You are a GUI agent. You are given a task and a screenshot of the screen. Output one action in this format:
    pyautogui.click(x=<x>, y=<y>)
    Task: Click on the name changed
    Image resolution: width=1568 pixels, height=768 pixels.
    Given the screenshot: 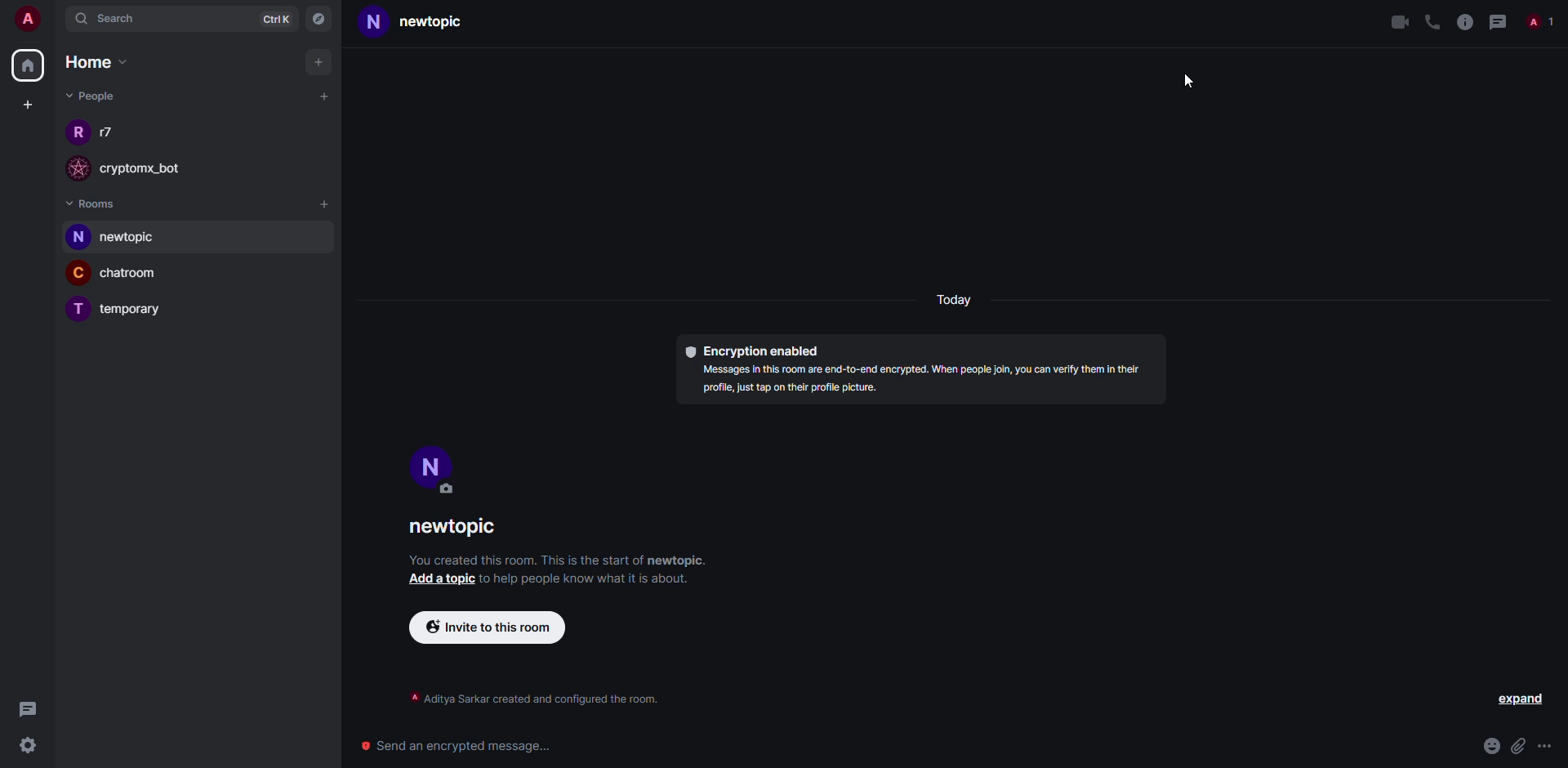 What is the action you would take?
    pyautogui.click(x=451, y=525)
    